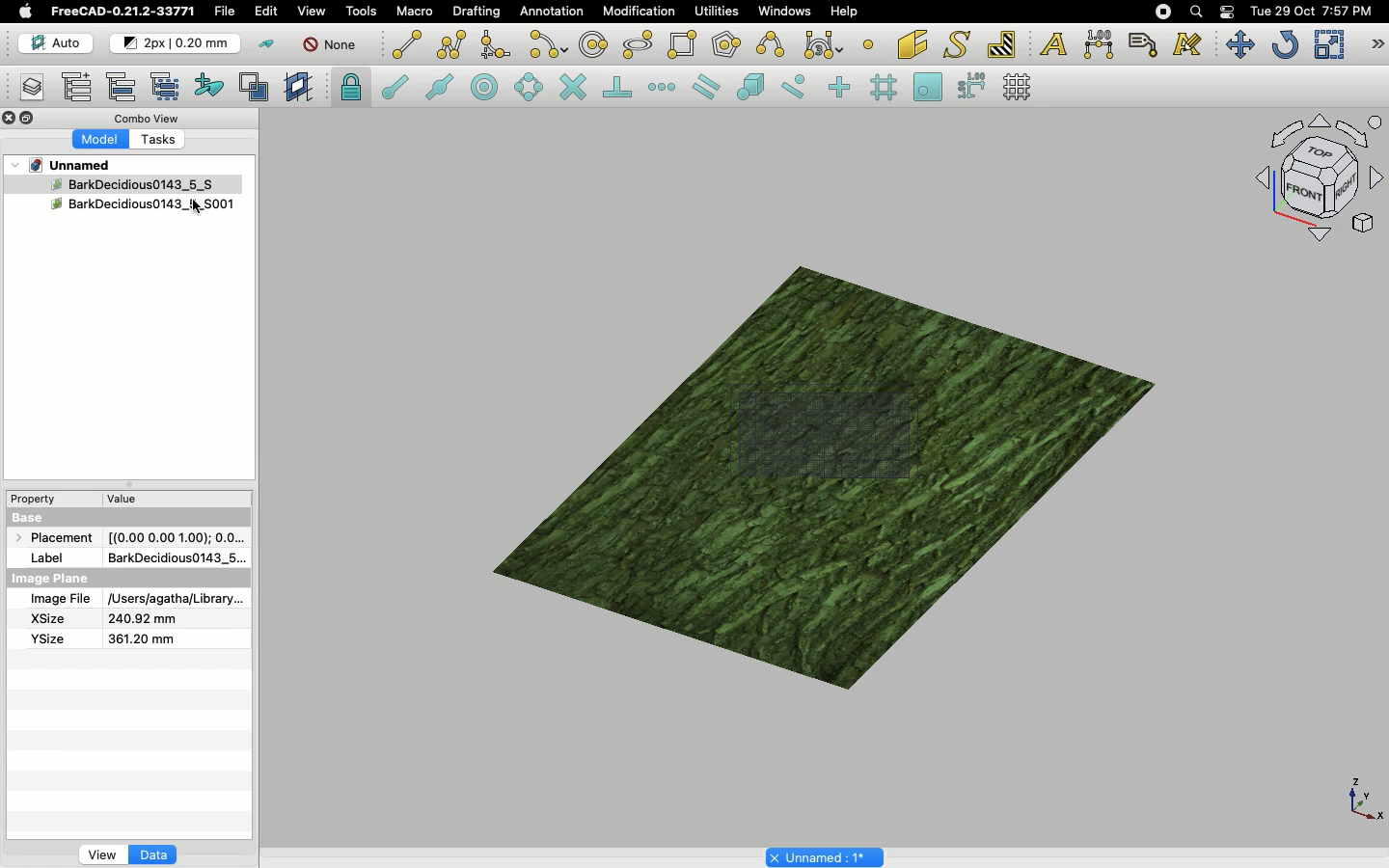 The image size is (1389, 868). I want to click on Polyline, so click(451, 44).